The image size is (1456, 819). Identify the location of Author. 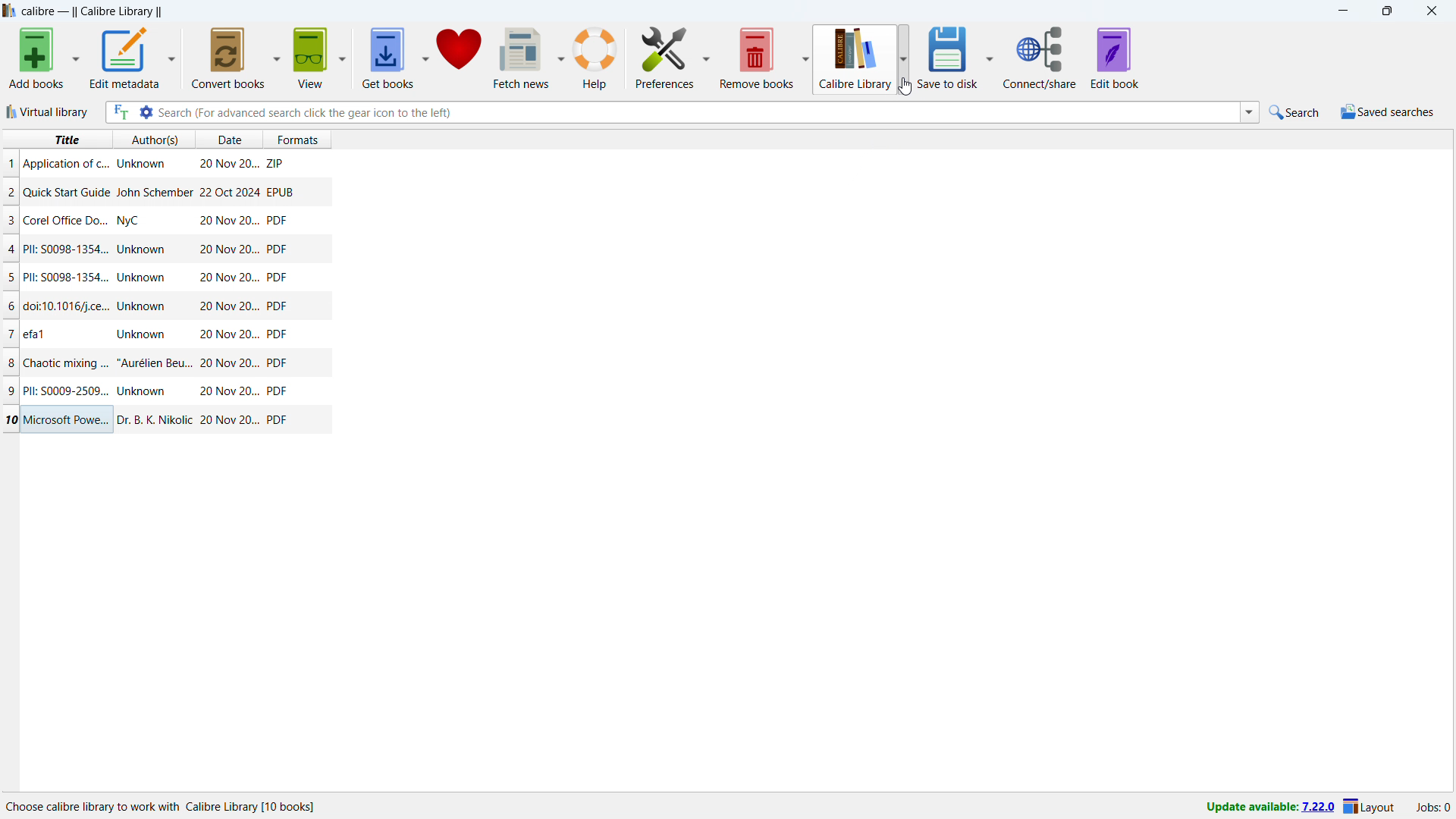
(144, 391).